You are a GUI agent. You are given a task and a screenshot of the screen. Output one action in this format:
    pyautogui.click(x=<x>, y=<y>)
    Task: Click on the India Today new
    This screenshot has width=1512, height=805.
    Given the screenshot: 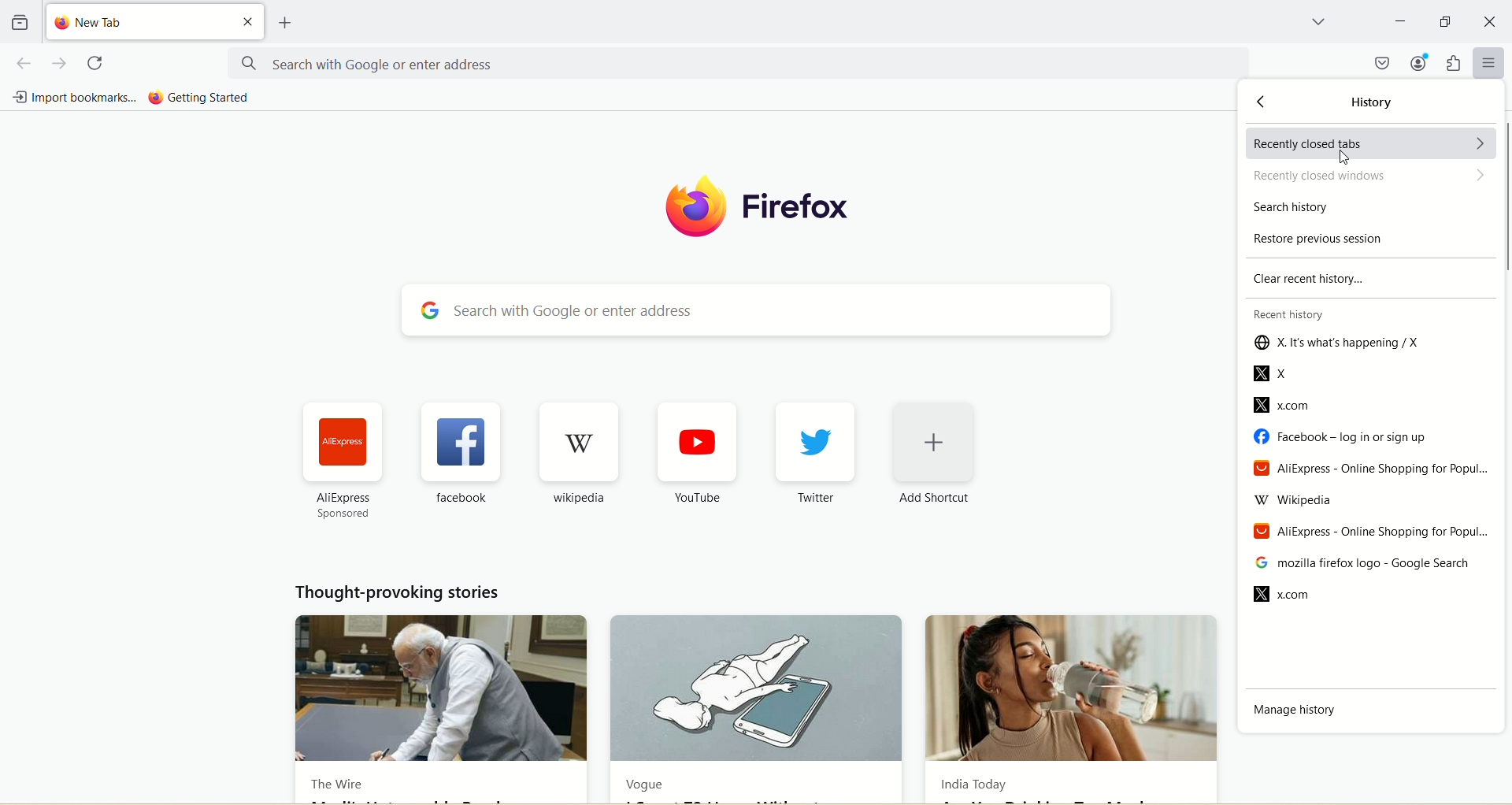 What is the action you would take?
    pyautogui.click(x=1076, y=688)
    